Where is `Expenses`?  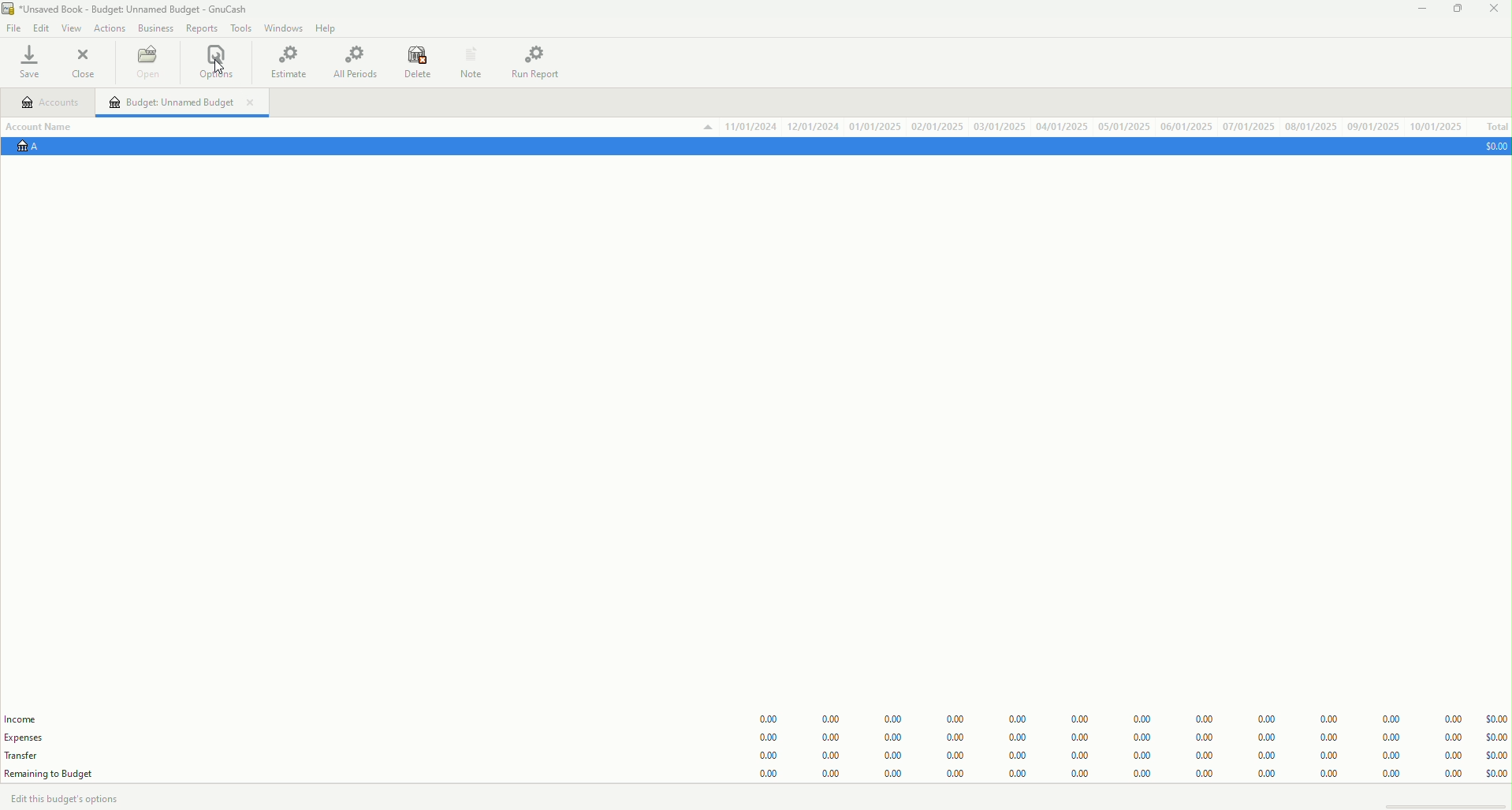
Expenses is located at coordinates (31, 738).